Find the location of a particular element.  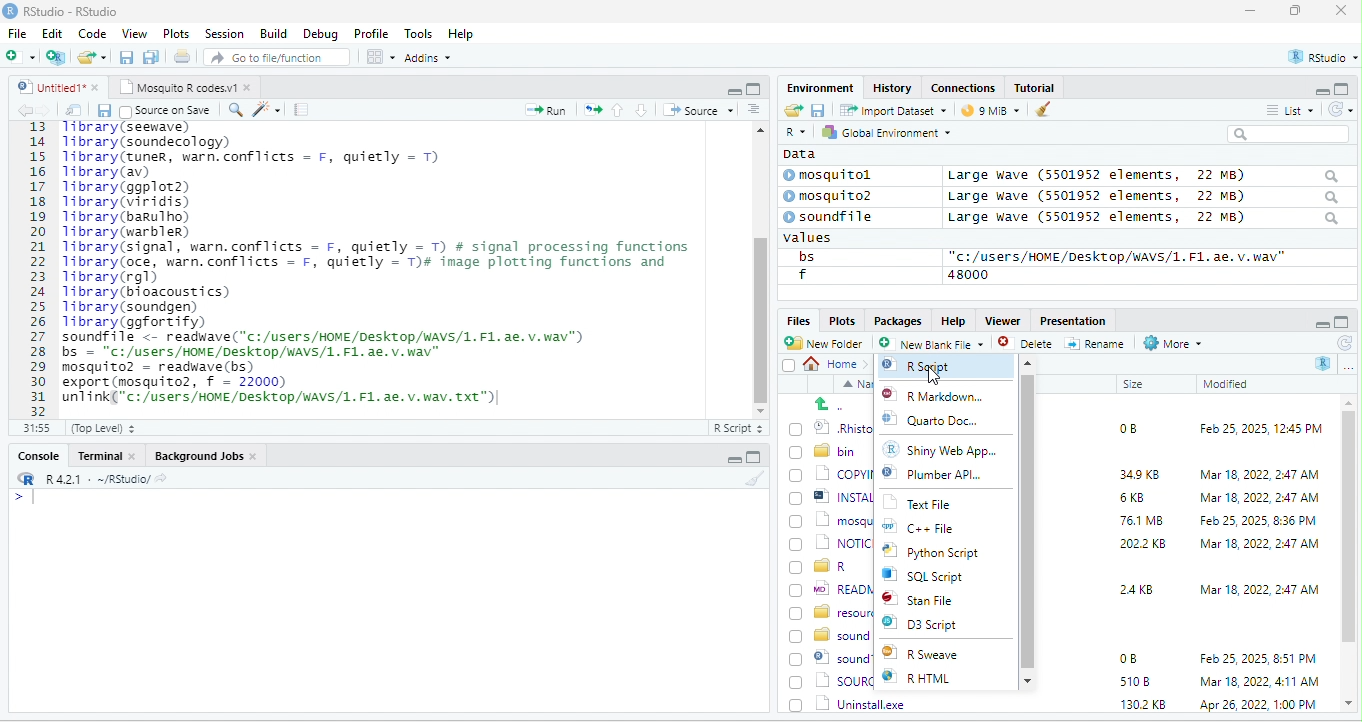

fipt 2 (0) ©] Rhistory 0B Feb 25, 2025, 12:45 PM
oO bin
0) 1) copying 349K8 Mar 18,2022, 247 AM
(J ®] INSTALL 6KB Mar 18, 2022, 247 AM
(0 1) mosauitoxt T6IMB Feb 25,2025 8:36 PM
0 [3 norce 2002K8 Mar 18, 2022, 247 AM
0 @r
(7) %) READMEmd 248 Mar 18, 2022, 247 AM
(0) resources
[5 sound analysis
(0) ©) soundiR LO Feb 25, 2025, 851 PM
0 1 source s108 Mar 18, 2022, 41 AM
(71 Uninstallexe 1302KB  Apr26,2022 1.00PM ¥ is located at coordinates (394, 262).